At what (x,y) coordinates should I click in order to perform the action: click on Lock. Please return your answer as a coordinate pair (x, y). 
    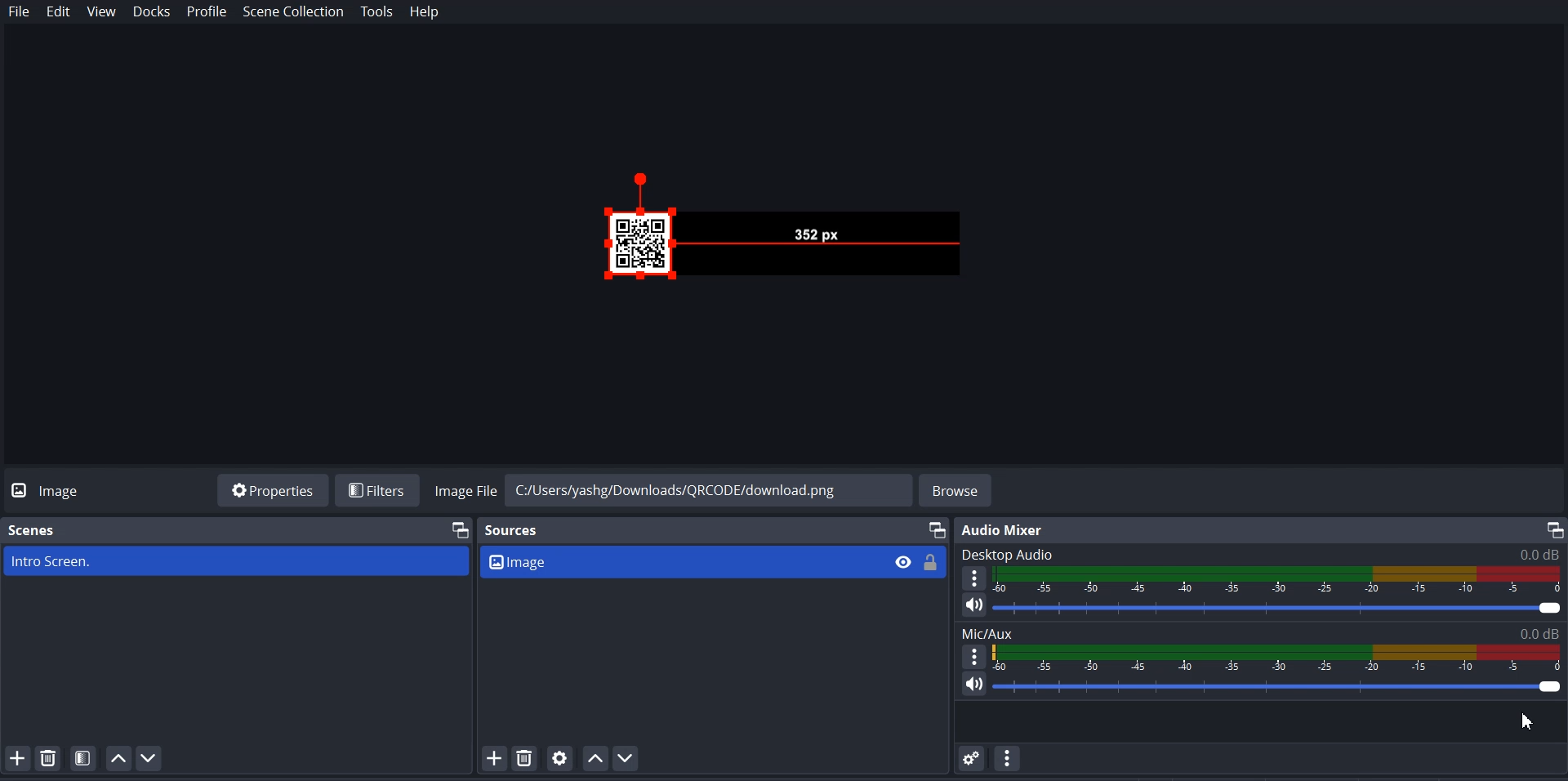
    Looking at the image, I should click on (930, 562).